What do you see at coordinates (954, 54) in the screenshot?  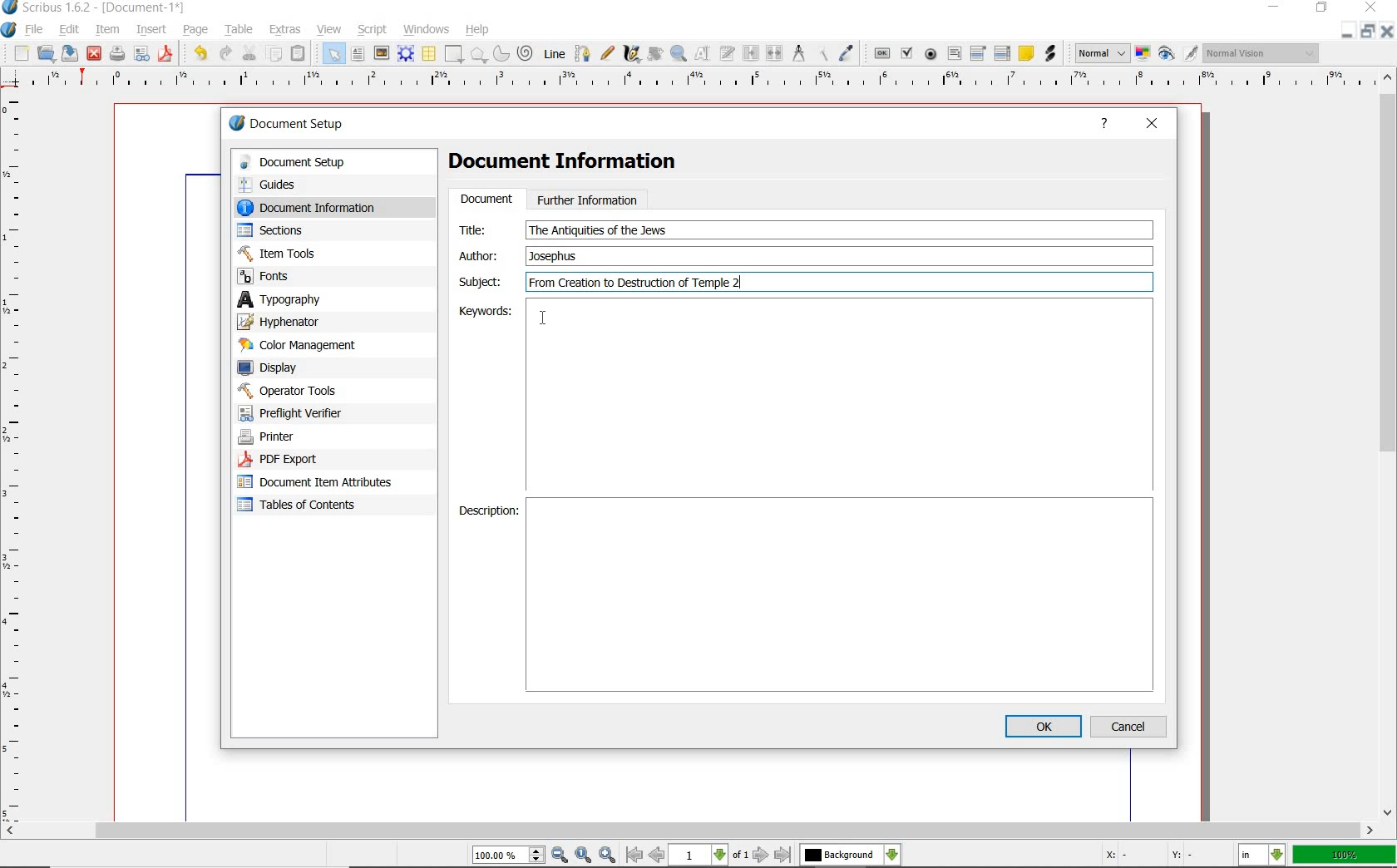 I see `pdf text field` at bounding box center [954, 54].